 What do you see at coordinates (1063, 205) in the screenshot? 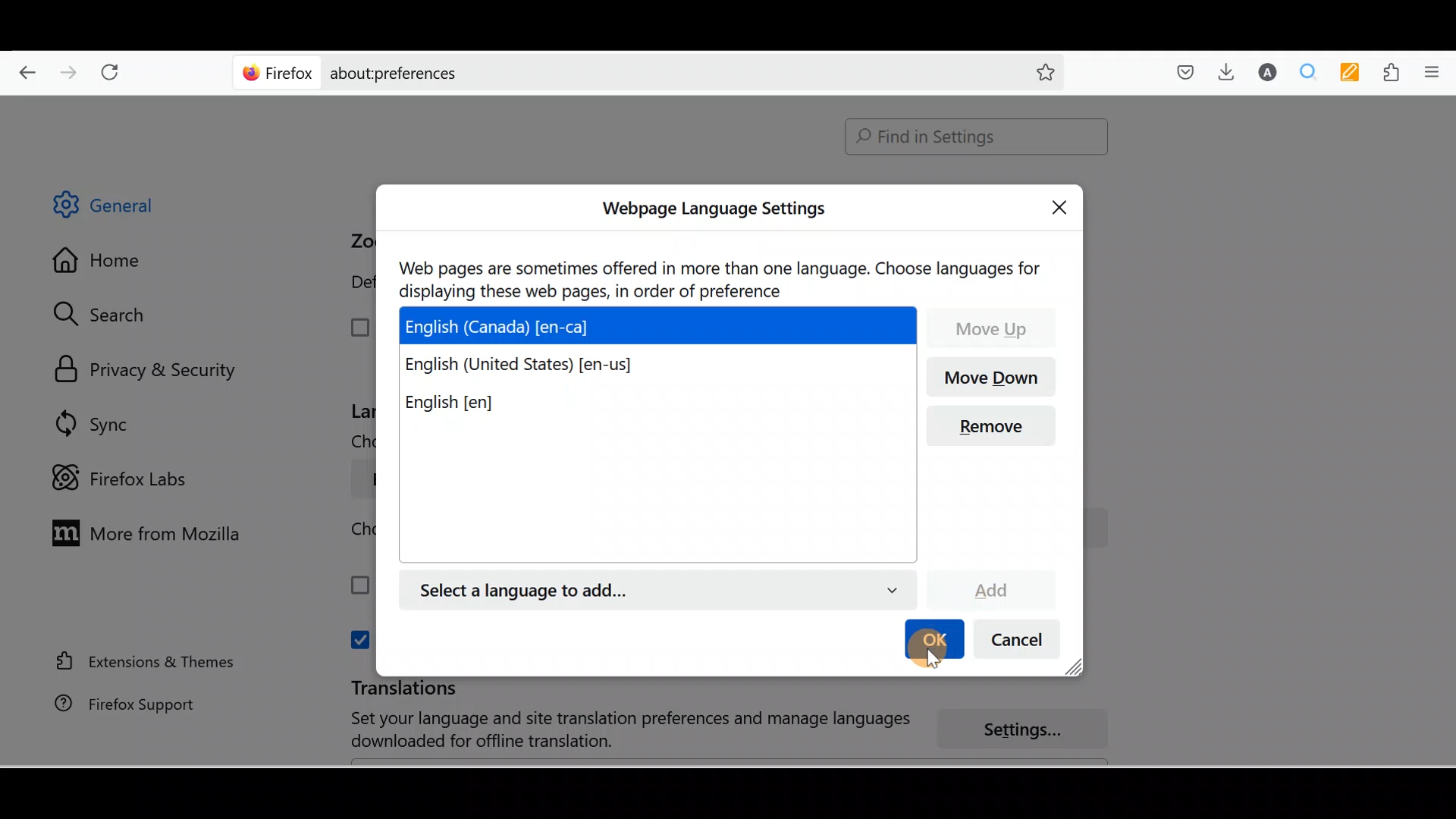
I see `Close` at bounding box center [1063, 205].